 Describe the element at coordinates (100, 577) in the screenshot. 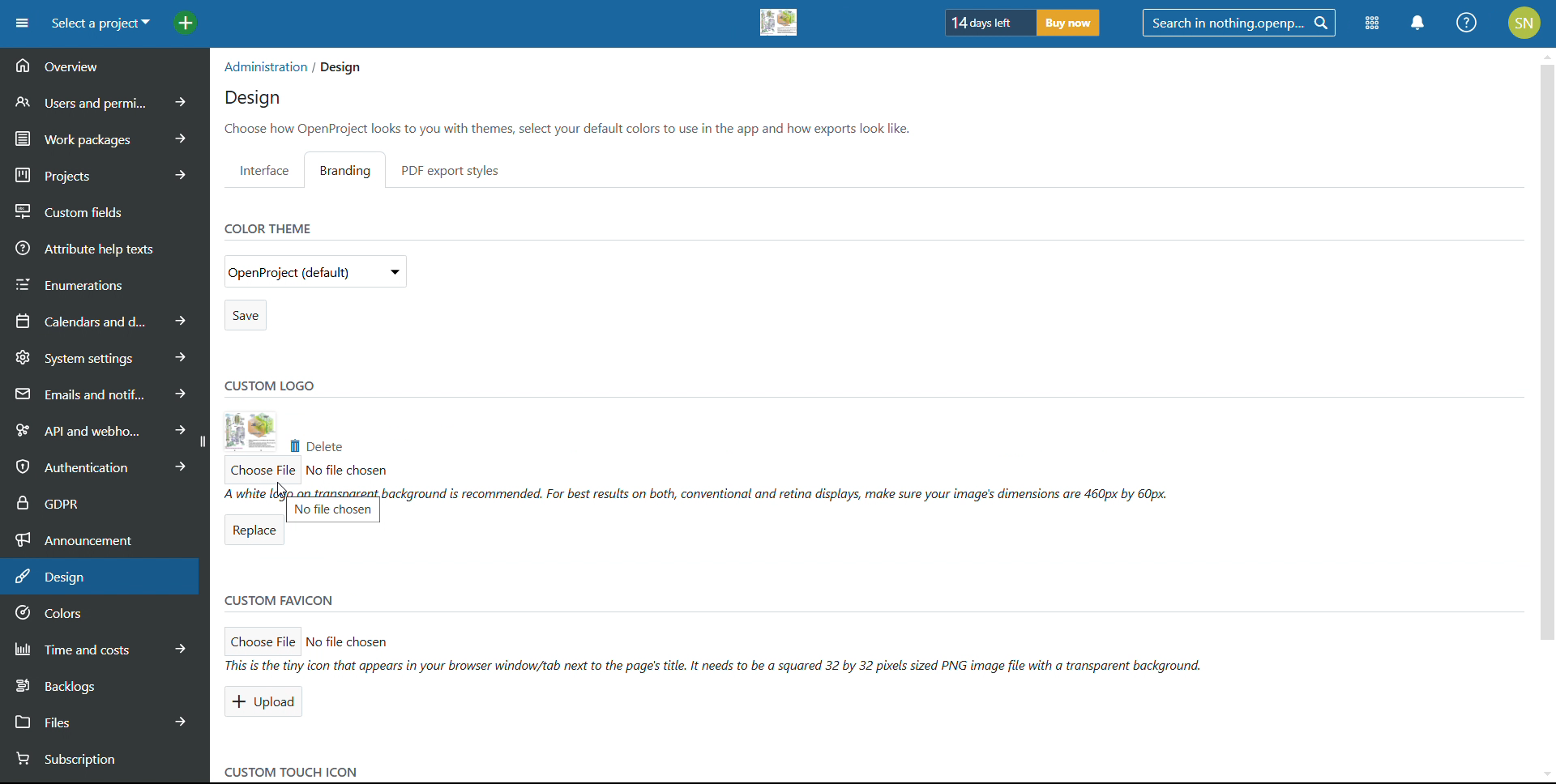

I see `design selected` at that location.